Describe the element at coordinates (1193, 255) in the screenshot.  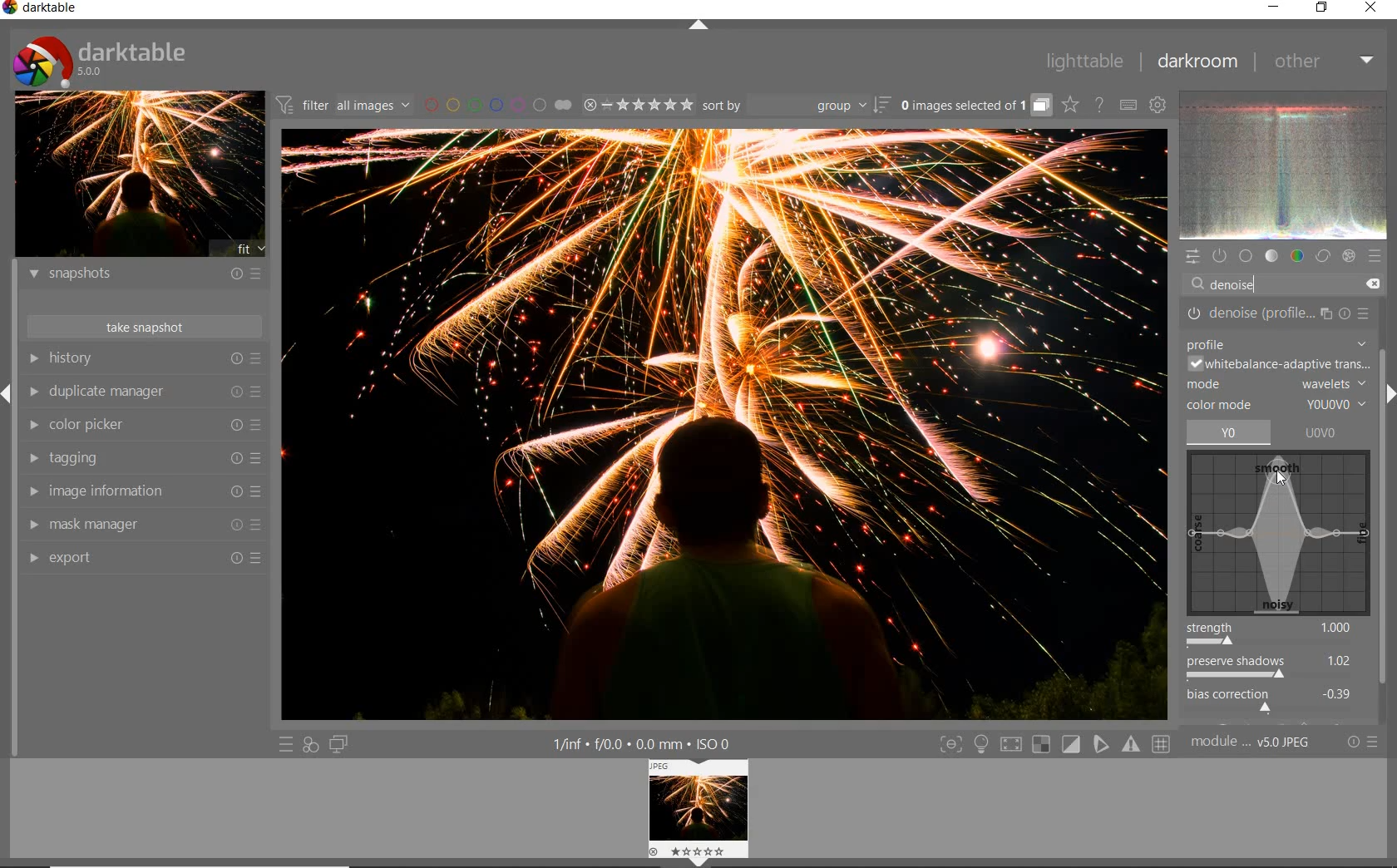
I see `quick access panel` at that location.